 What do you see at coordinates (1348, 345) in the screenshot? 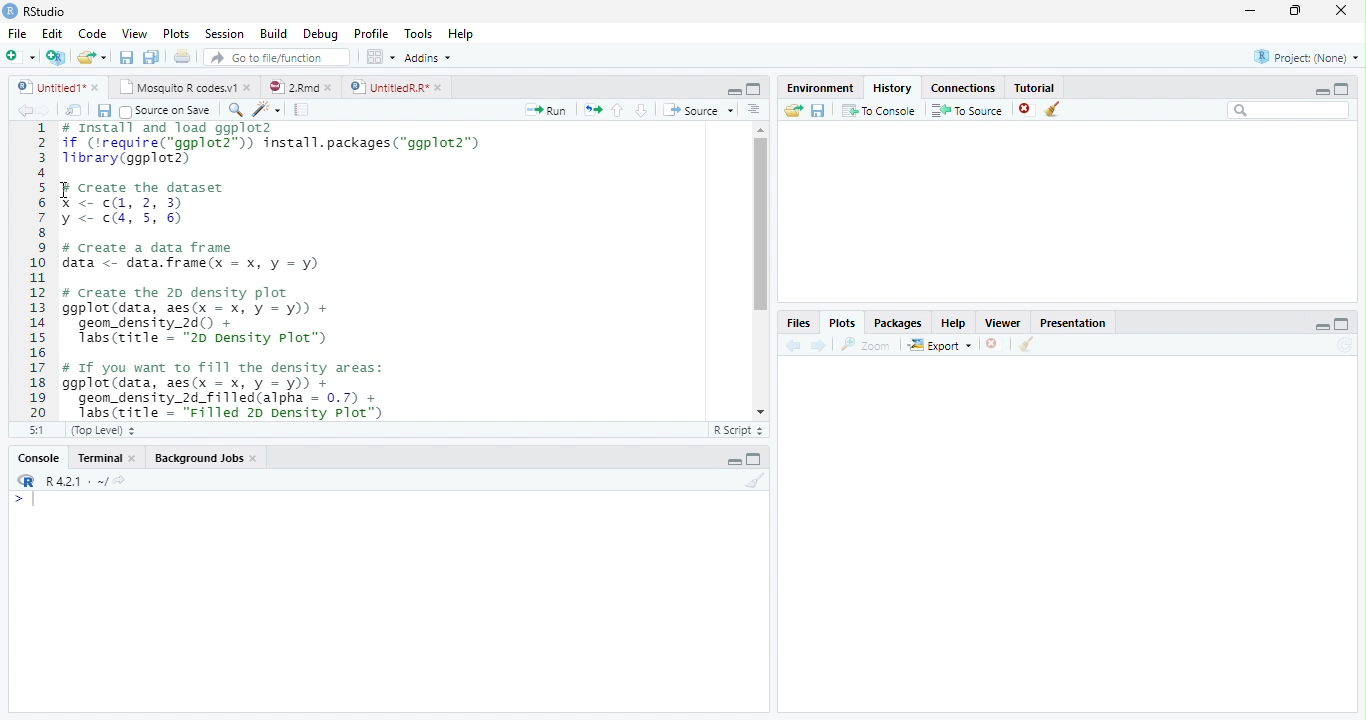
I see `Refresh` at bounding box center [1348, 345].